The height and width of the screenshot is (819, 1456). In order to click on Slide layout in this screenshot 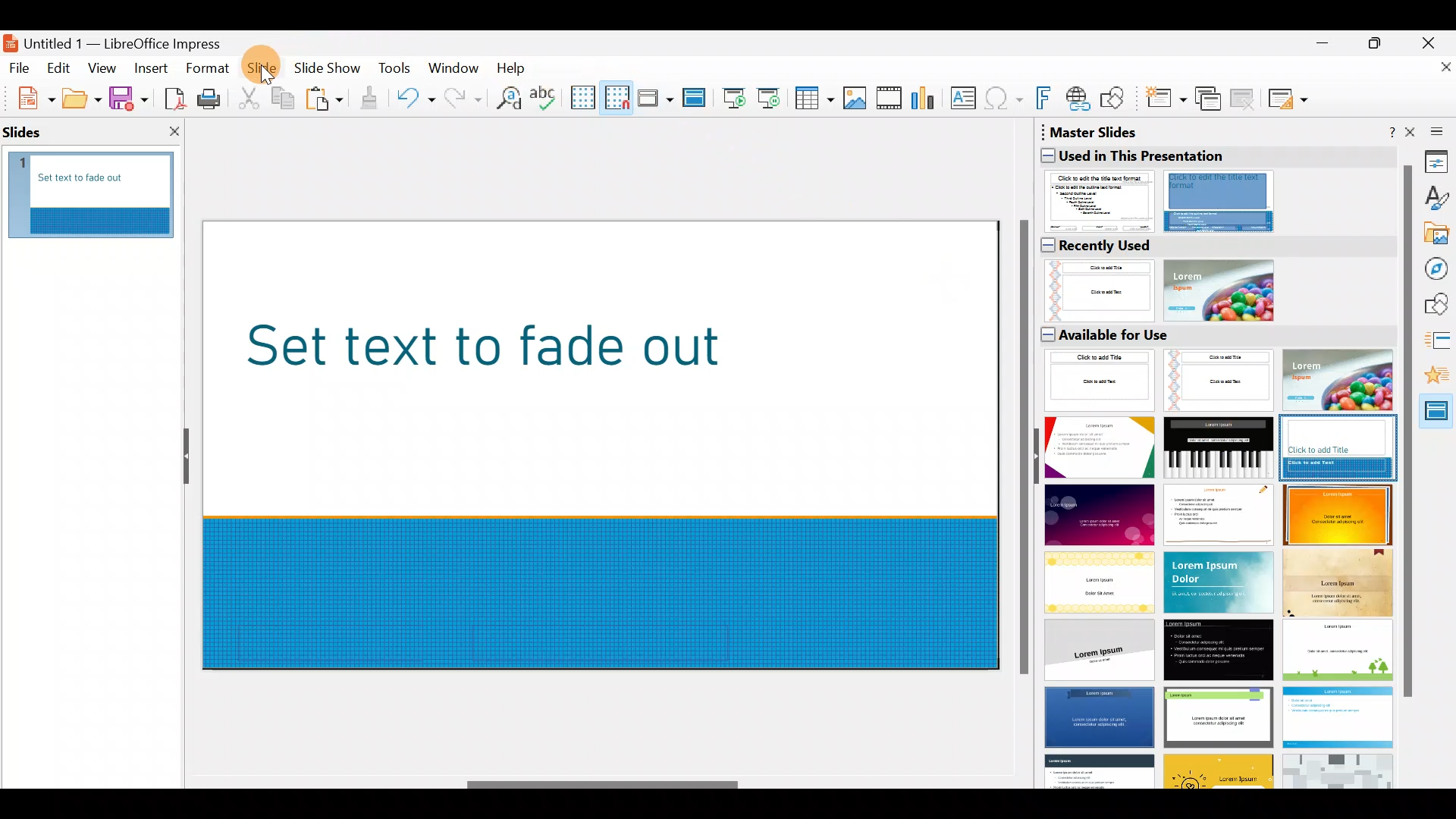, I will do `click(1289, 99)`.